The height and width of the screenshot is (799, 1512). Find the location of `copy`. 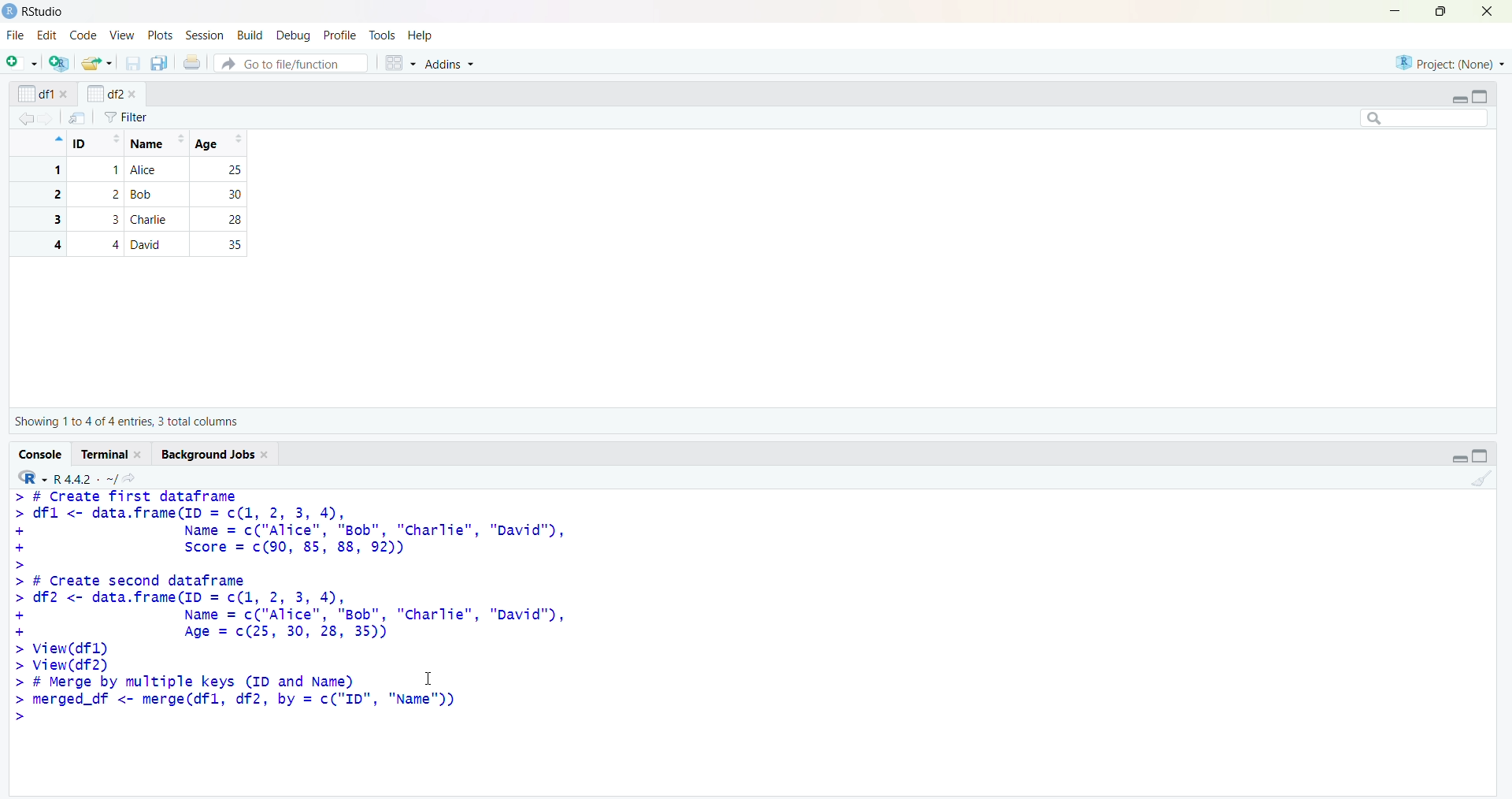

copy is located at coordinates (159, 63).